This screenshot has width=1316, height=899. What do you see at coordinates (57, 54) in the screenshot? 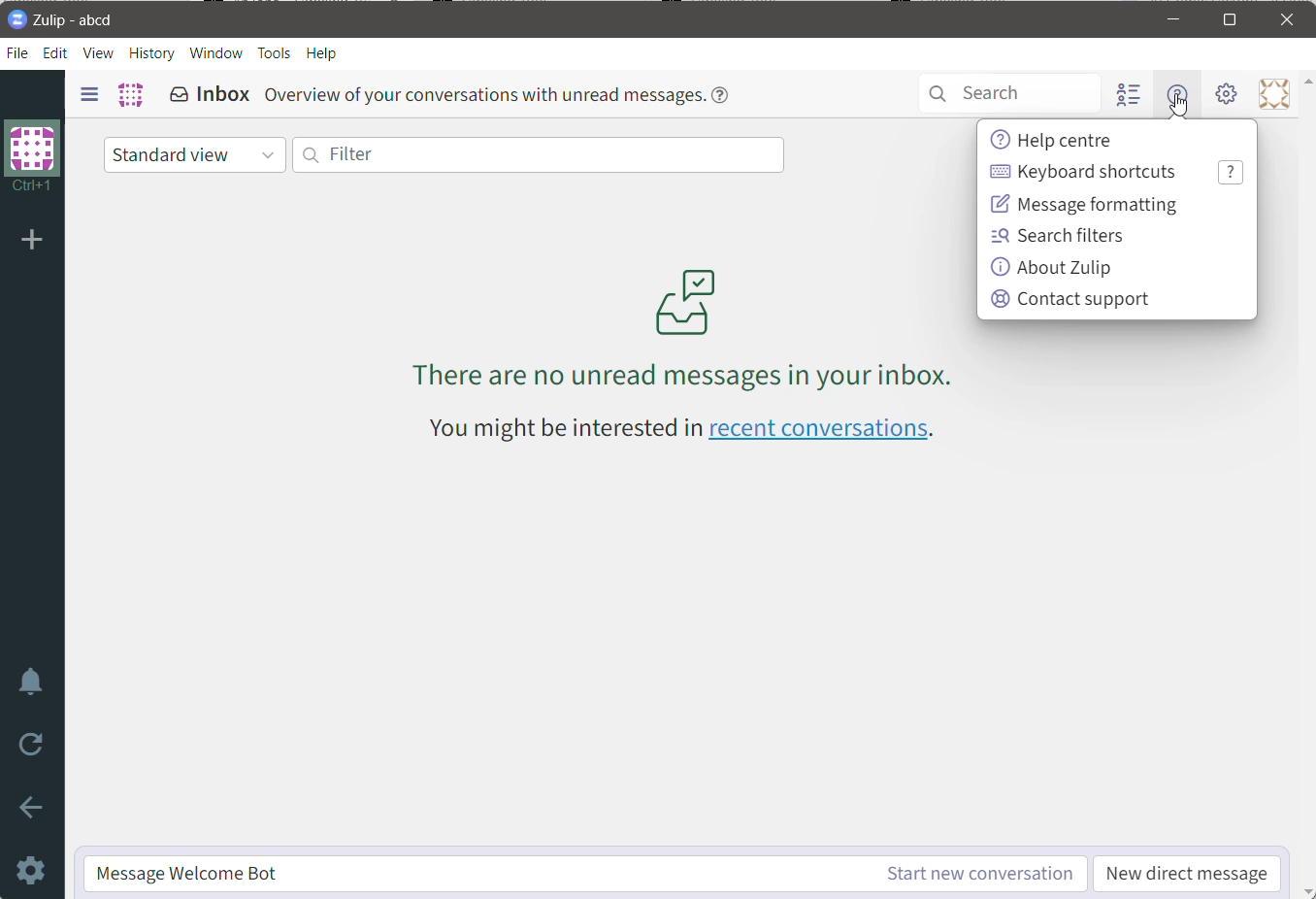
I see `Edit` at bounding box center [57, 54].